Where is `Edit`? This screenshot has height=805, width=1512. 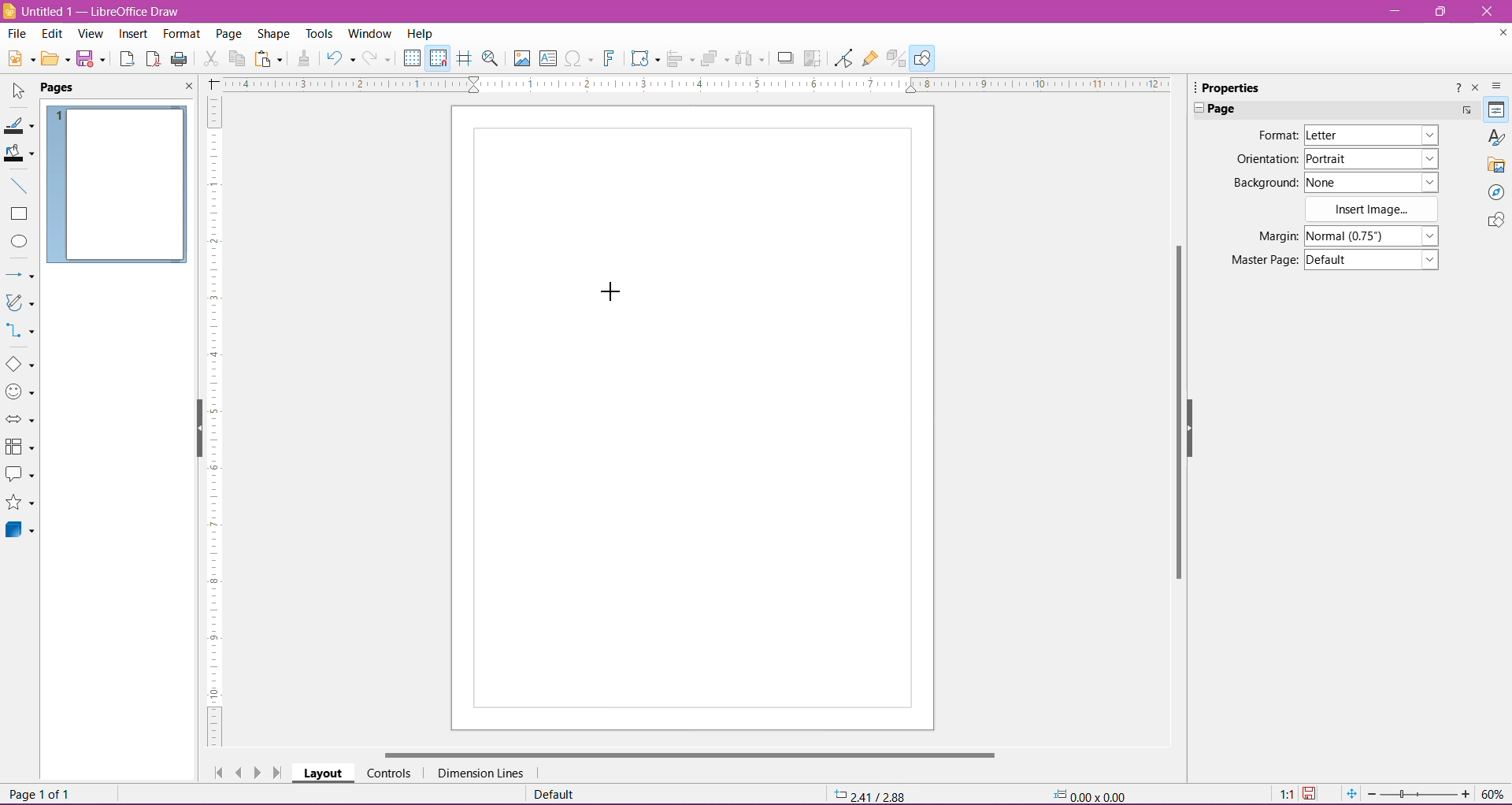
Edit is located at coordinates (54, 34).